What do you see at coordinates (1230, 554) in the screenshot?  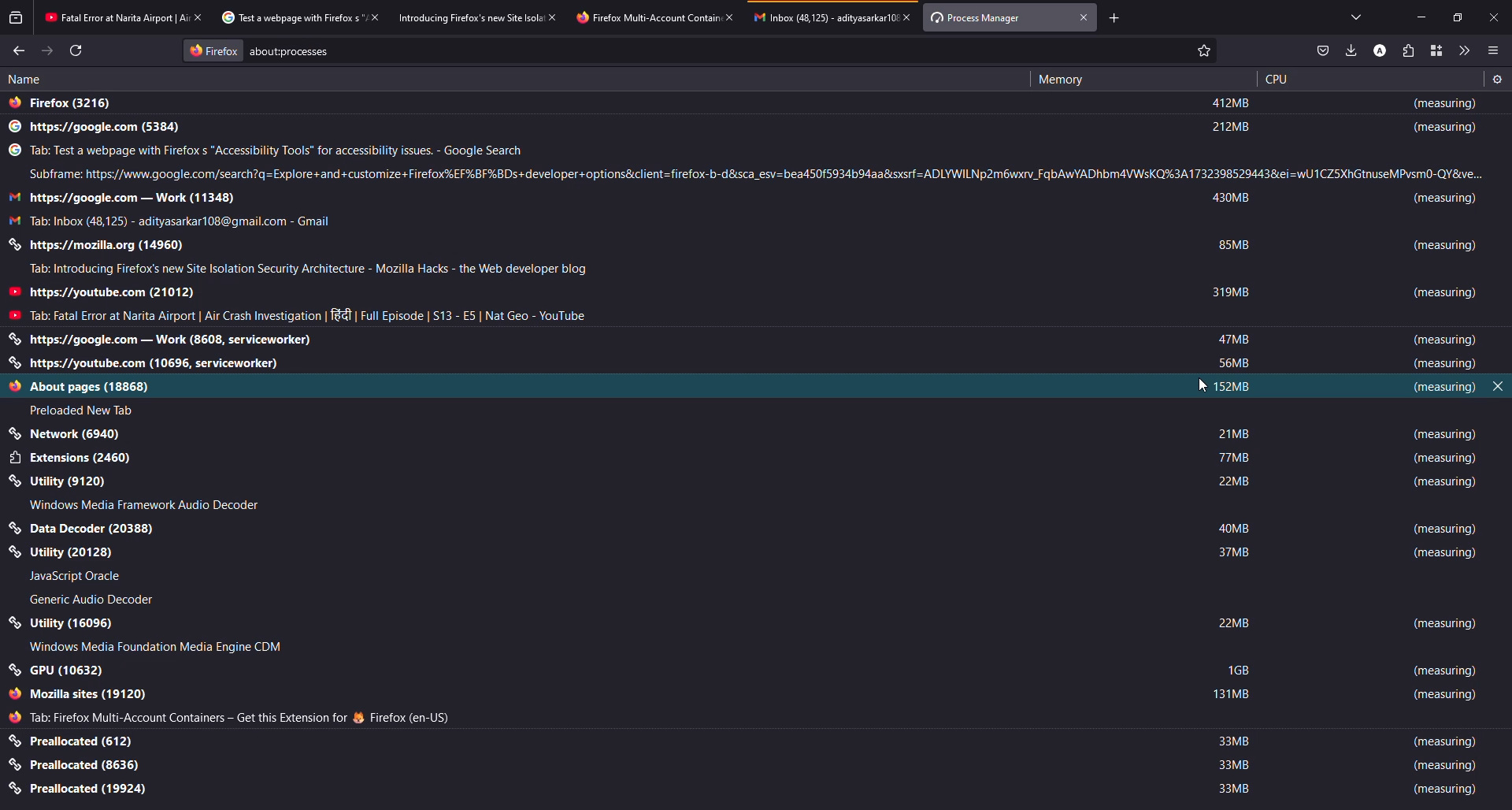 I see `37 mb` at bounding box center [1230, 554].